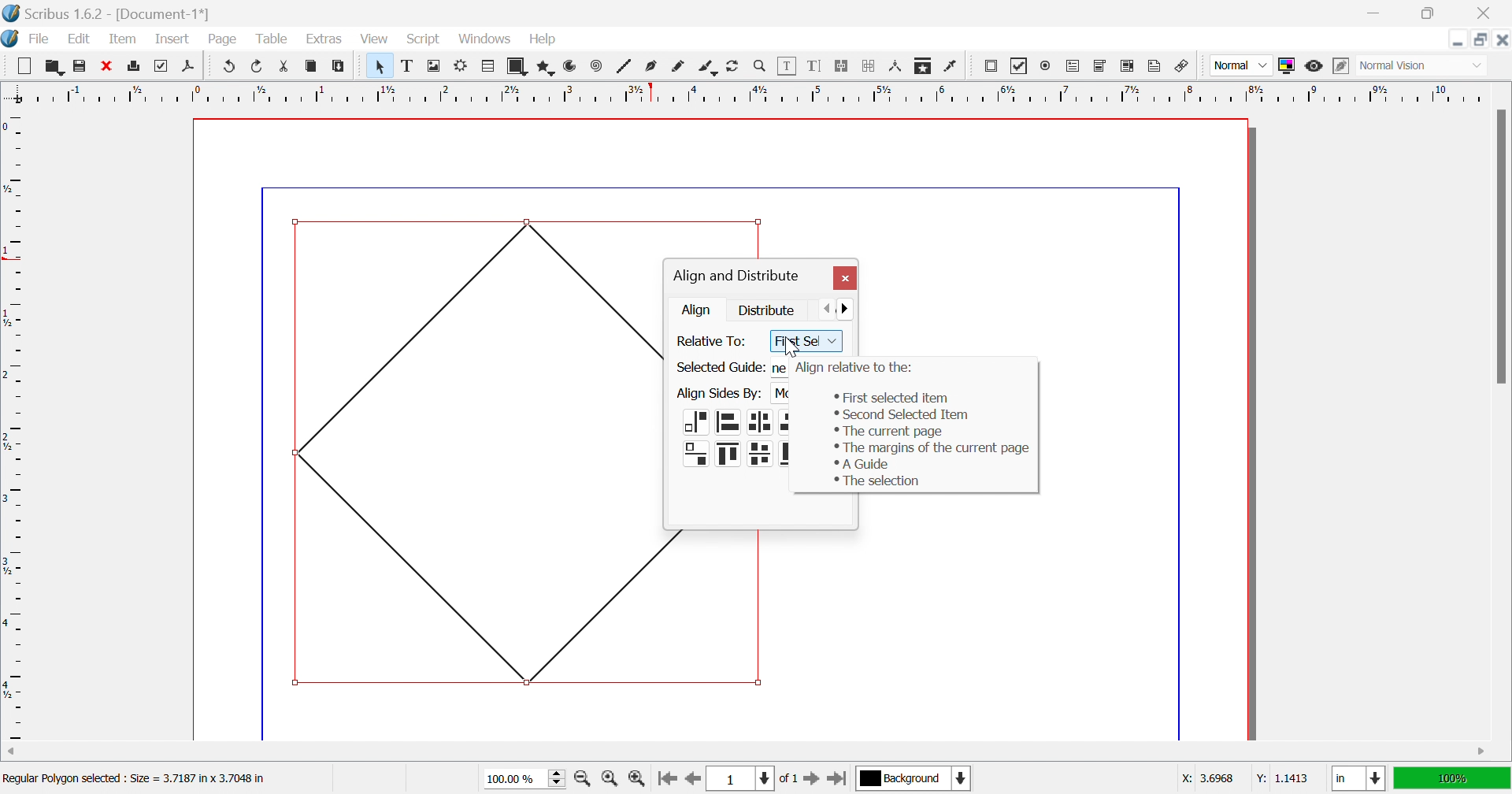 This screenshot has height=794, width=1512. Describe the element at coordinates (461, 65) in the screenshot. I see `Render frame` at that location.